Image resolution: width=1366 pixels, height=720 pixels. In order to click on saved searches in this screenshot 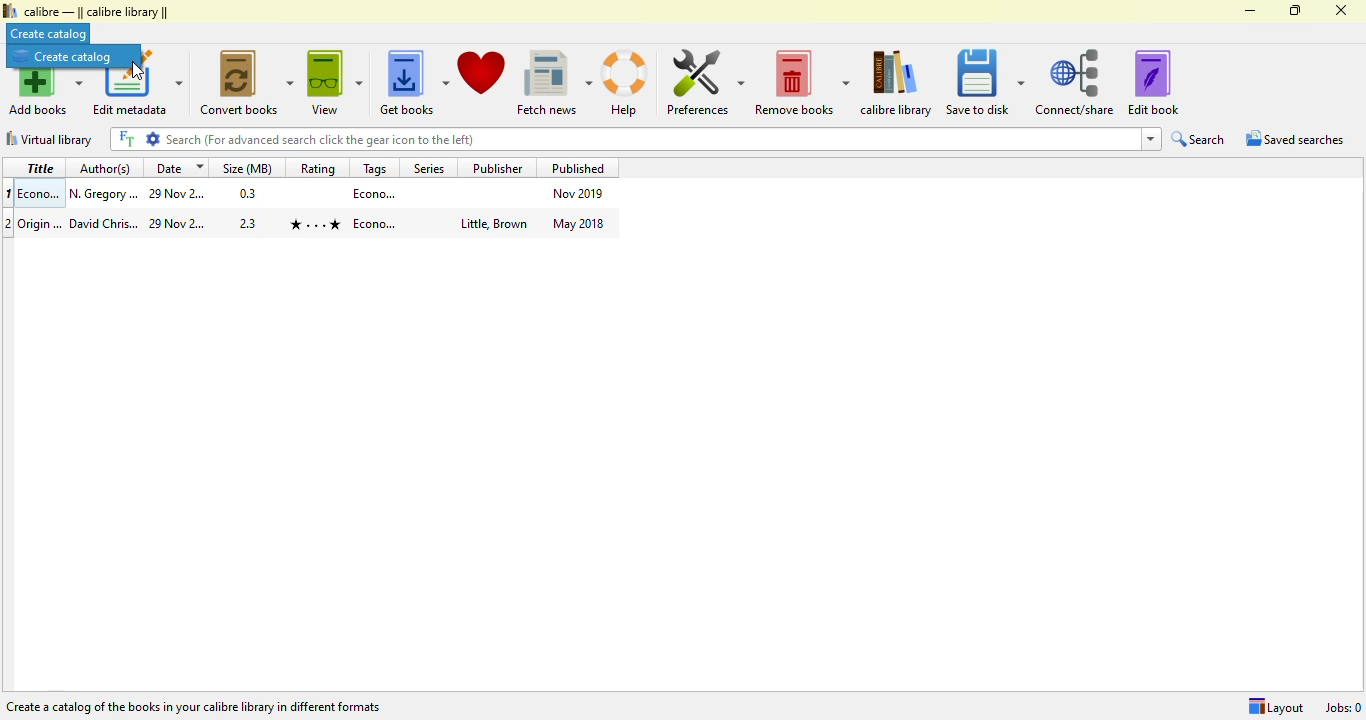, I will do `click(1295, 139)`.